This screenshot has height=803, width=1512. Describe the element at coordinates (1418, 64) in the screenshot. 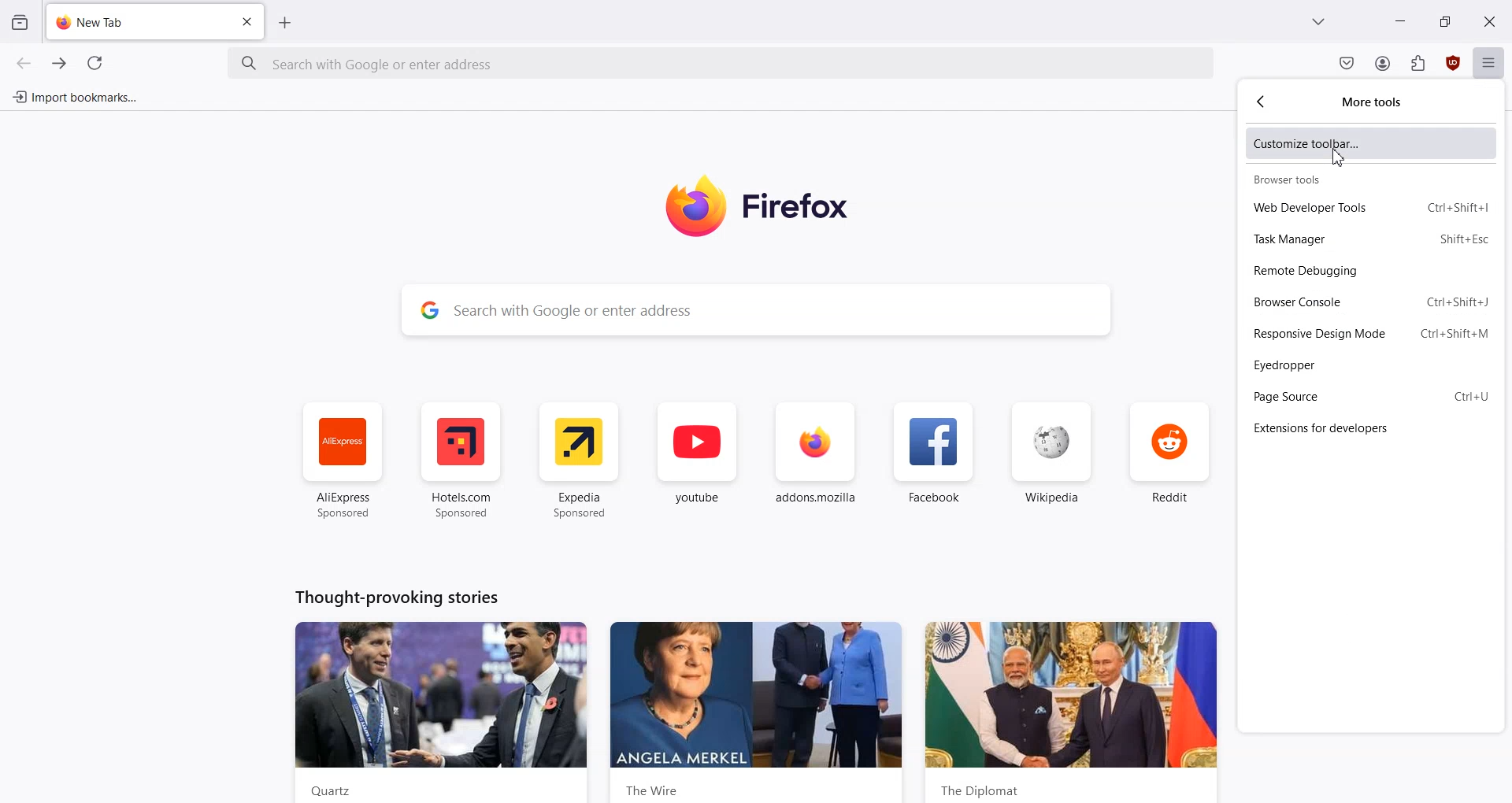

I see `Extensions` at that location.